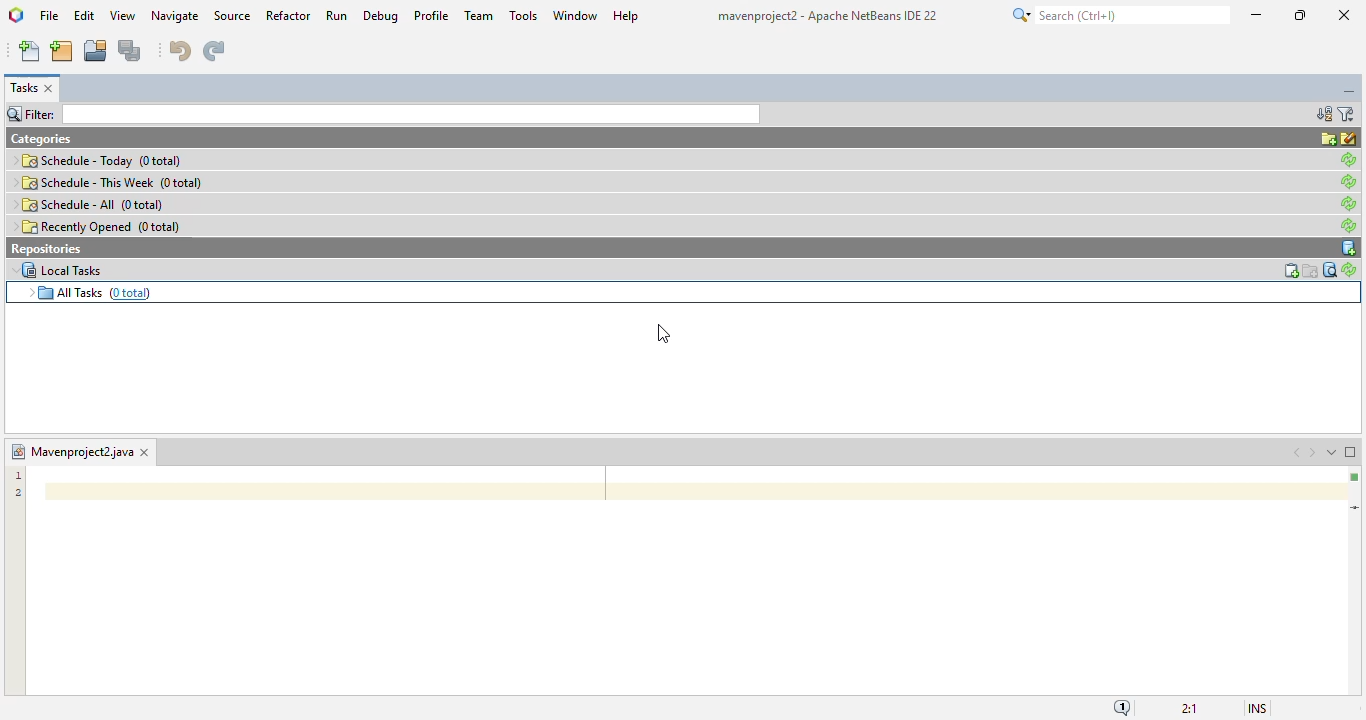 Image resolution: width=1366 pixels, height=720 pixels. Describe the element at coordinates (56, 269) in the screenshot. I see `local tasks` at that location.